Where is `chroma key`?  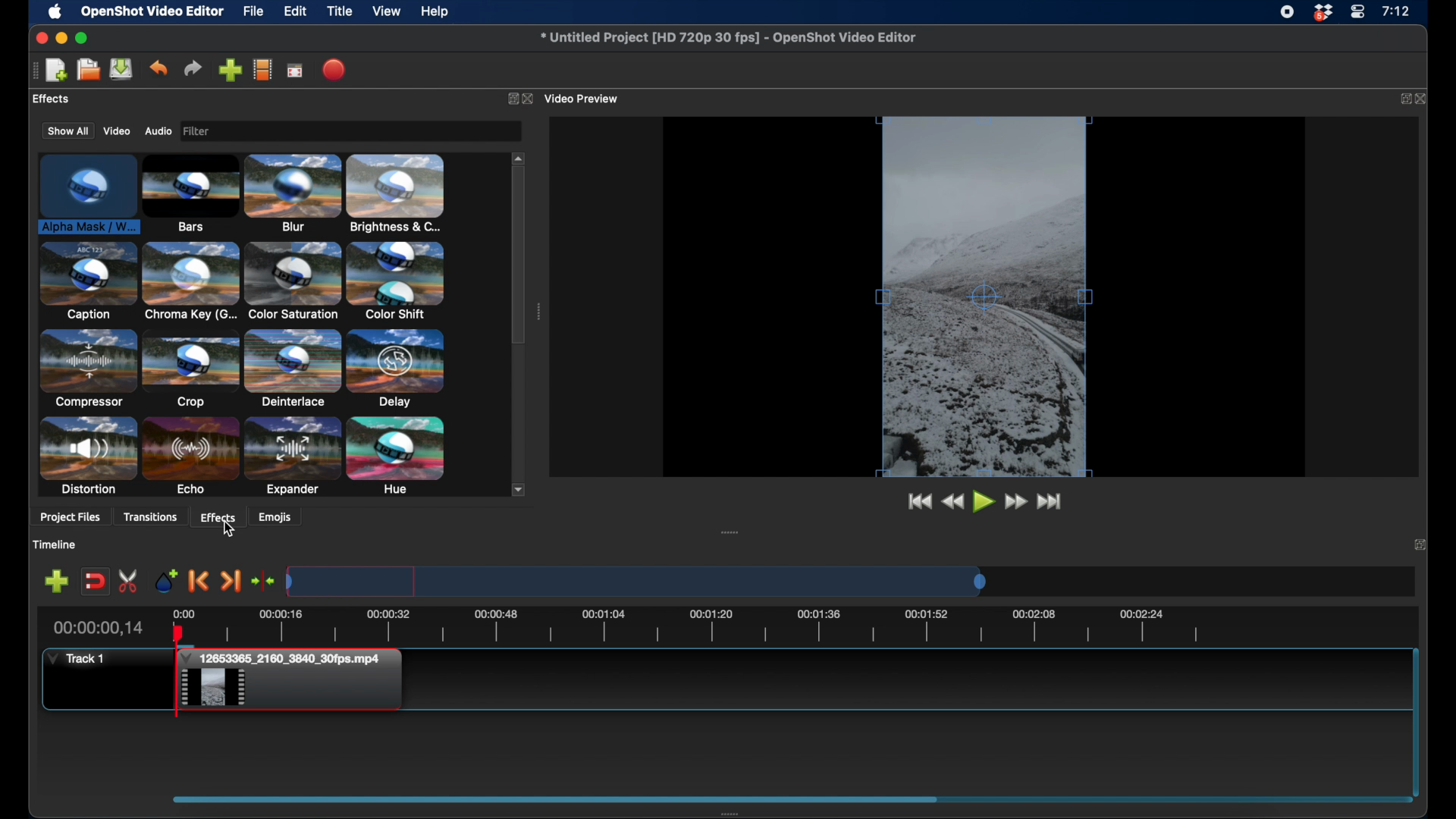 chroma key is located at coordinates (191, 281).